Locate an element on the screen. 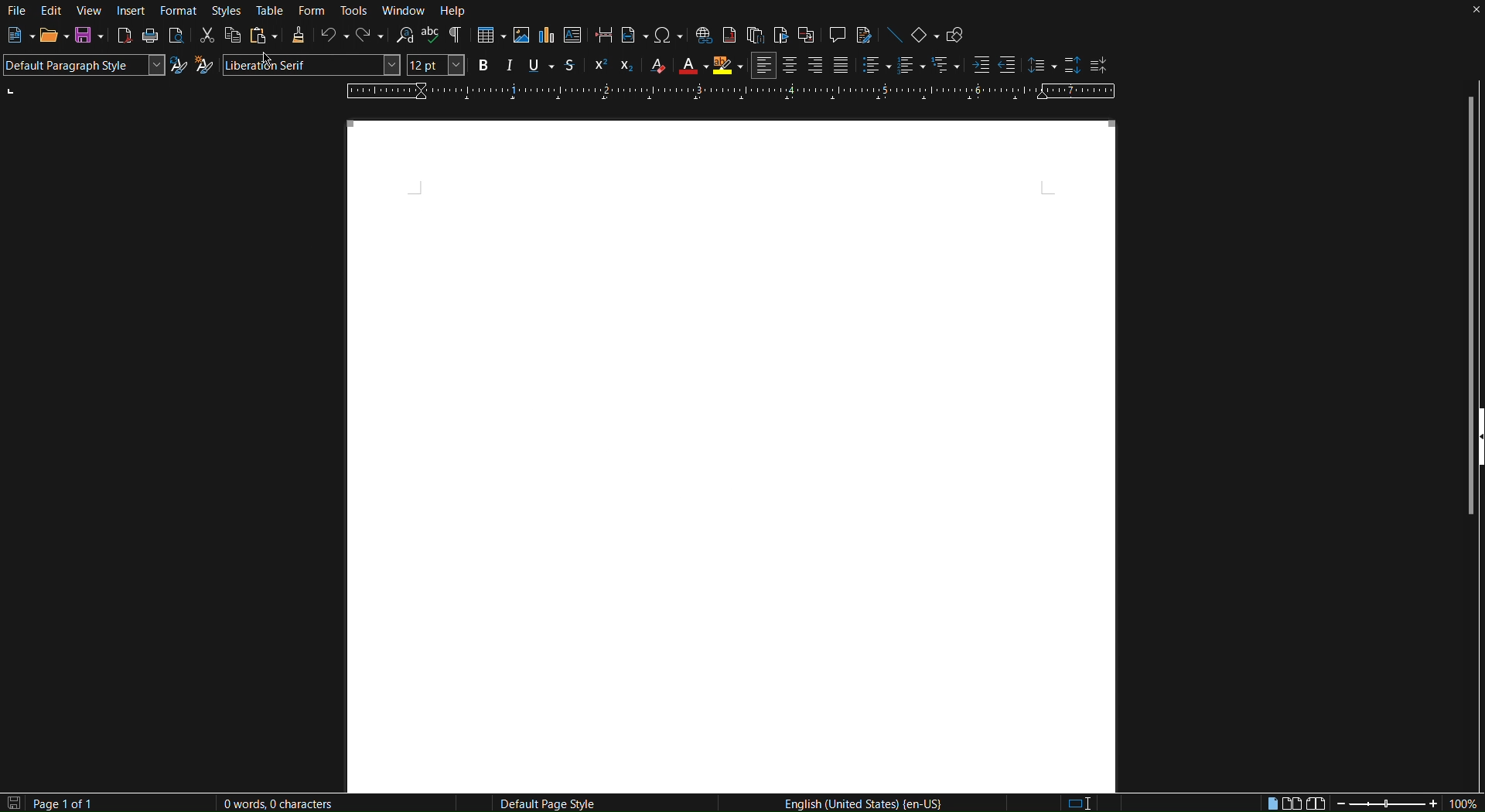 The image size is (1485, 812). File  is located at coordinates (17, 11).